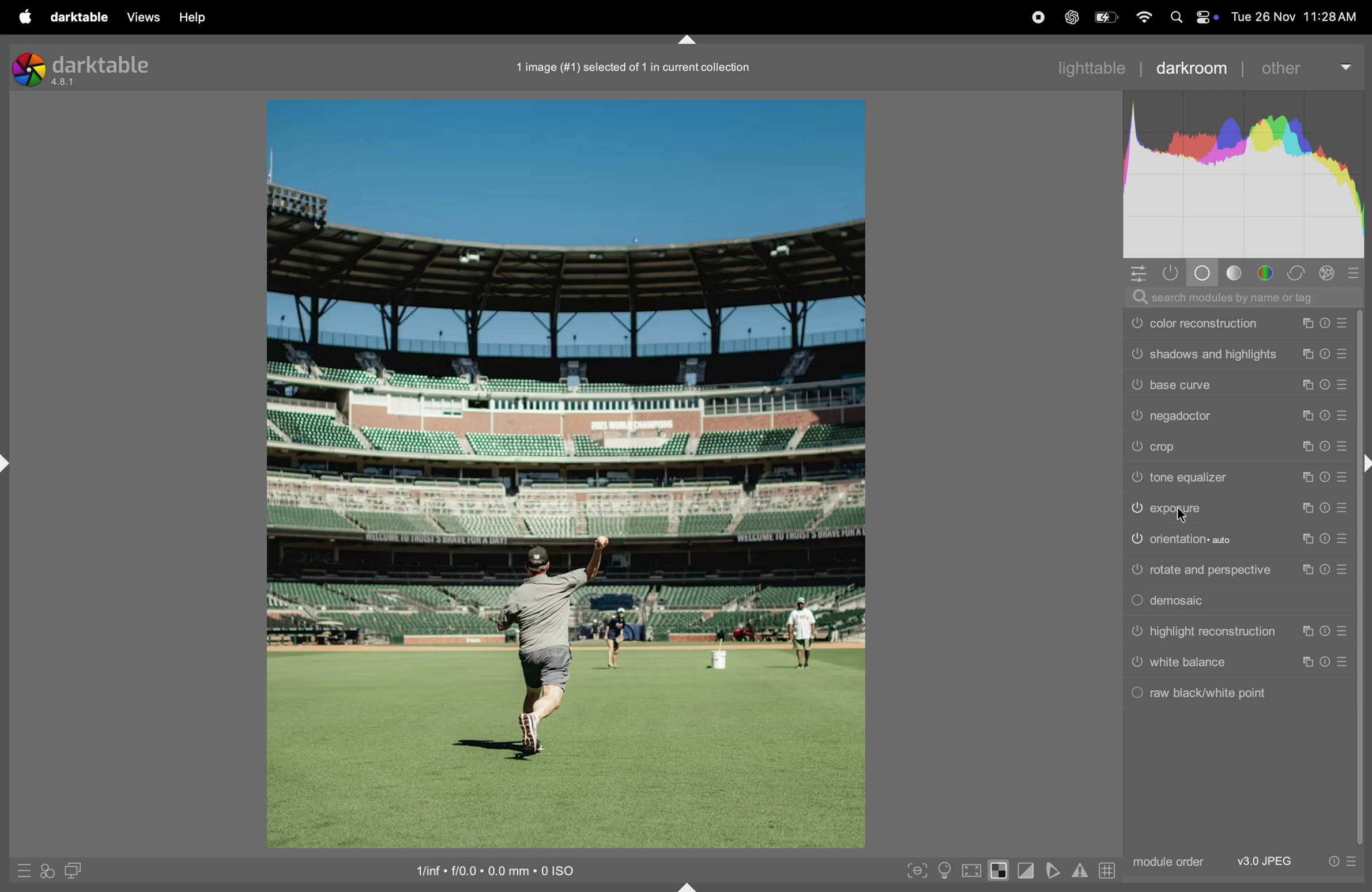  What do you see at coordinates (1138, 273) in the screenshot?
I see `quick access panel` at bounding box center [1138, 273].